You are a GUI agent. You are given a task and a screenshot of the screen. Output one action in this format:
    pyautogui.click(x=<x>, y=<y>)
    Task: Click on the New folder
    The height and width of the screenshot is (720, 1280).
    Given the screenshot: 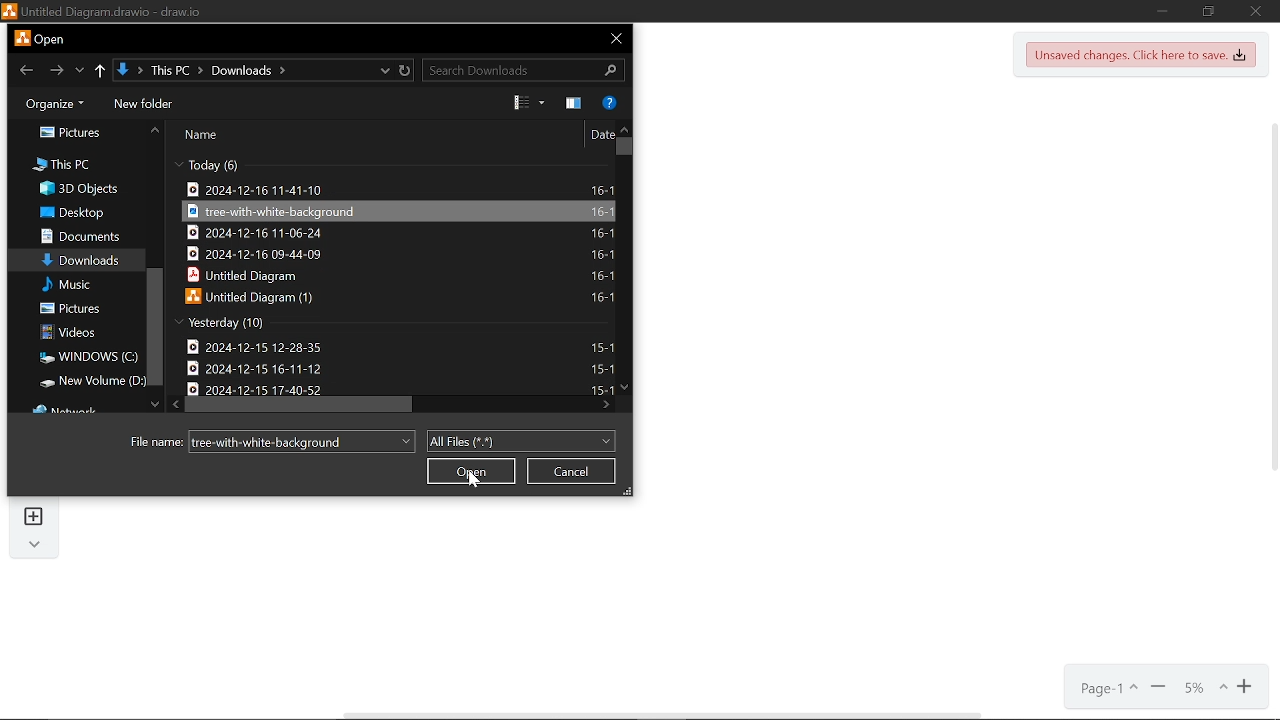 What is the action you would take?
    pyautogui.click(x=146, y=103)
    